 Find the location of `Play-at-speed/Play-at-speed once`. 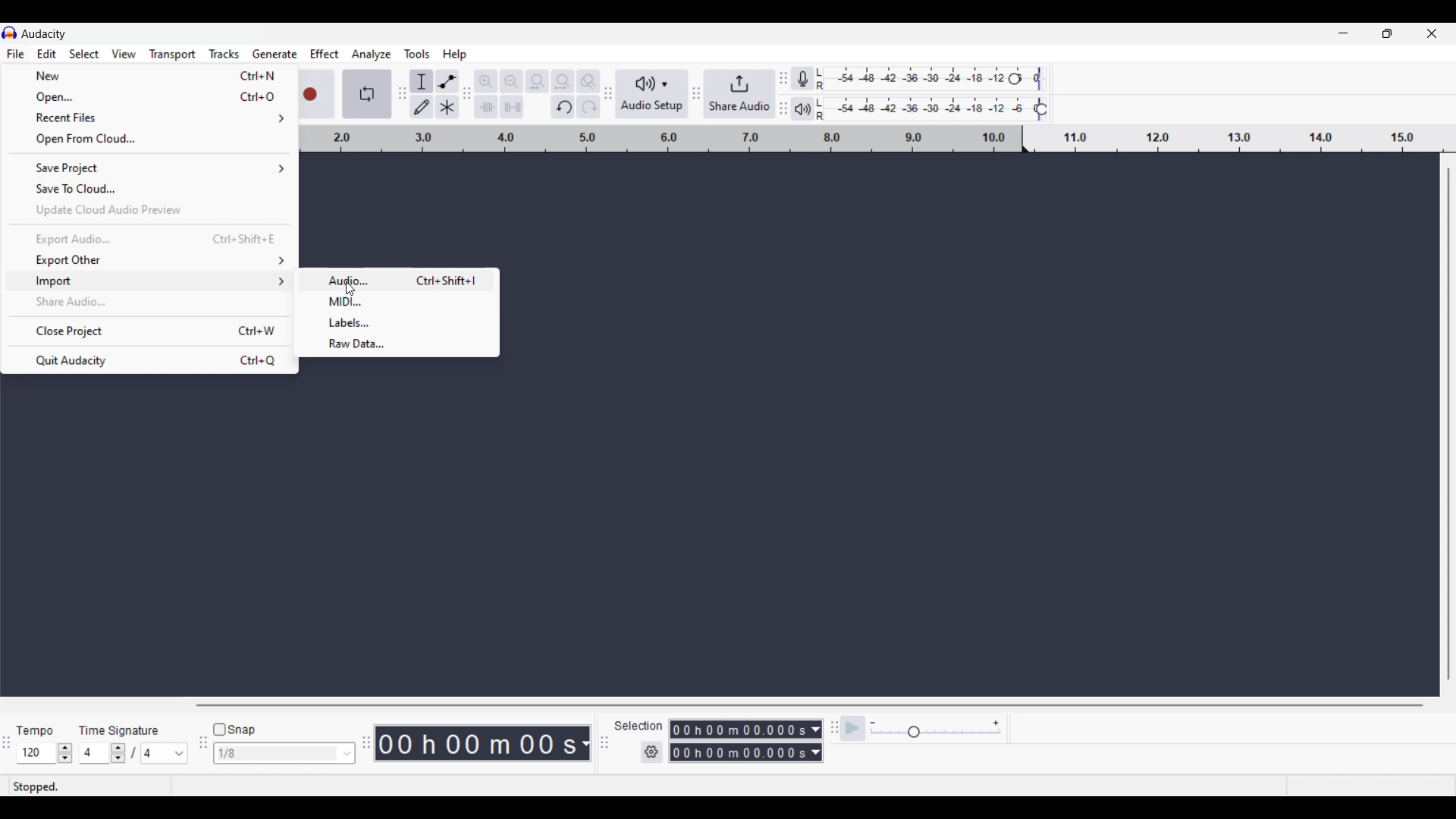

Play-at-speed/Play-at-speed once is located at coordinates (854, 729).